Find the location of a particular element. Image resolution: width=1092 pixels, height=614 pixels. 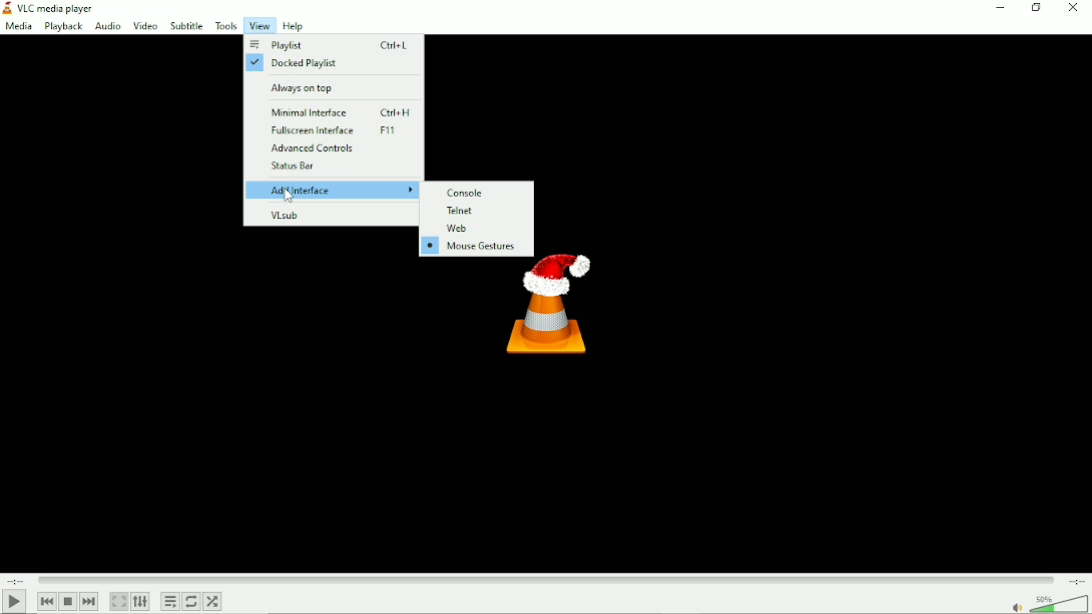

Logo is located at coordinates (549, 314).